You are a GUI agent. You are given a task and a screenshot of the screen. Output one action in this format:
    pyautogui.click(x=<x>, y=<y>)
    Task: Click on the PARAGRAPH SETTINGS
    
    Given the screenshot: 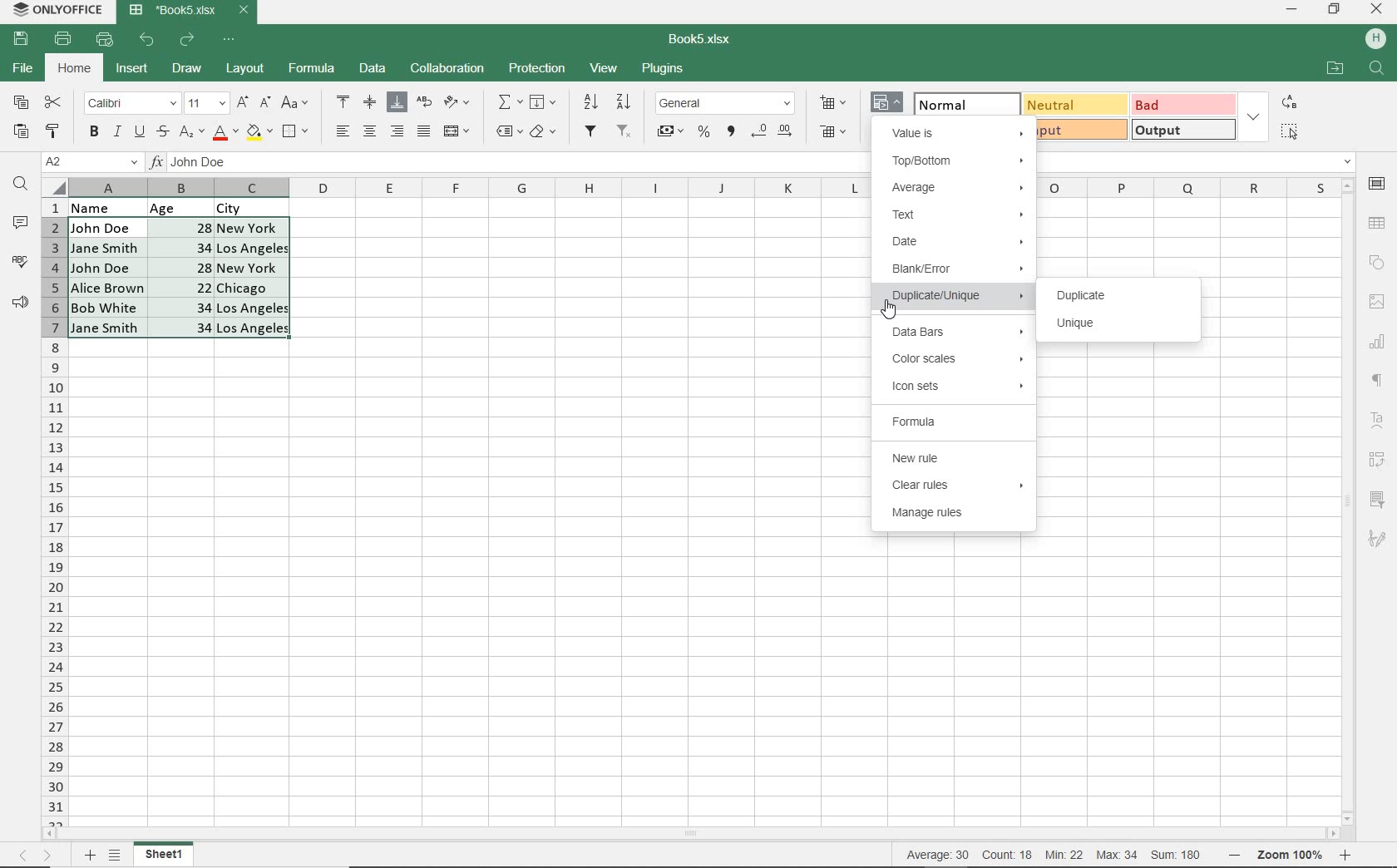 What is the action you would take?
    pyautogui.click(x=1378, y=381)
    